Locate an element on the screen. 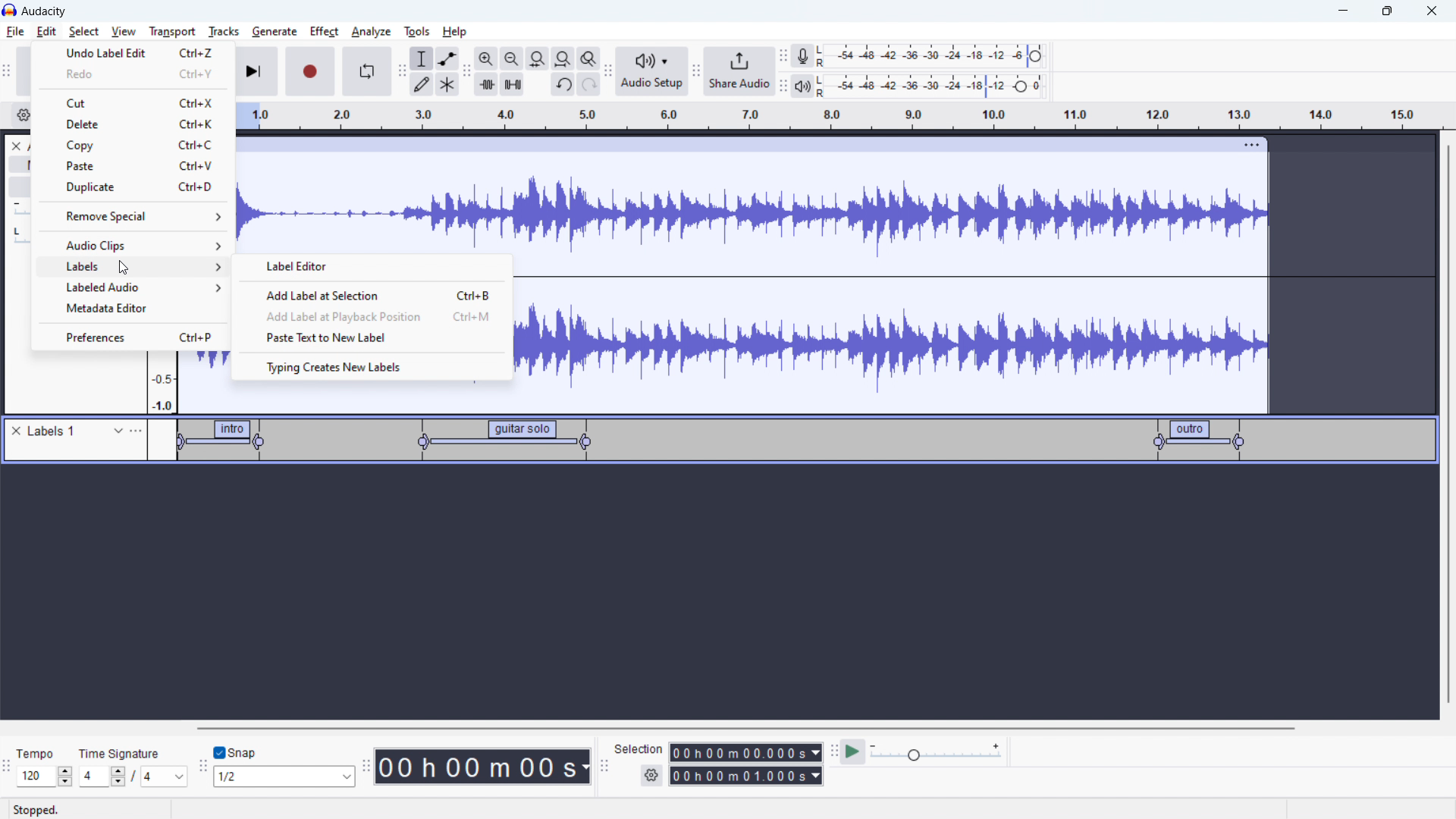  selection is located at coordinates (639, 749).